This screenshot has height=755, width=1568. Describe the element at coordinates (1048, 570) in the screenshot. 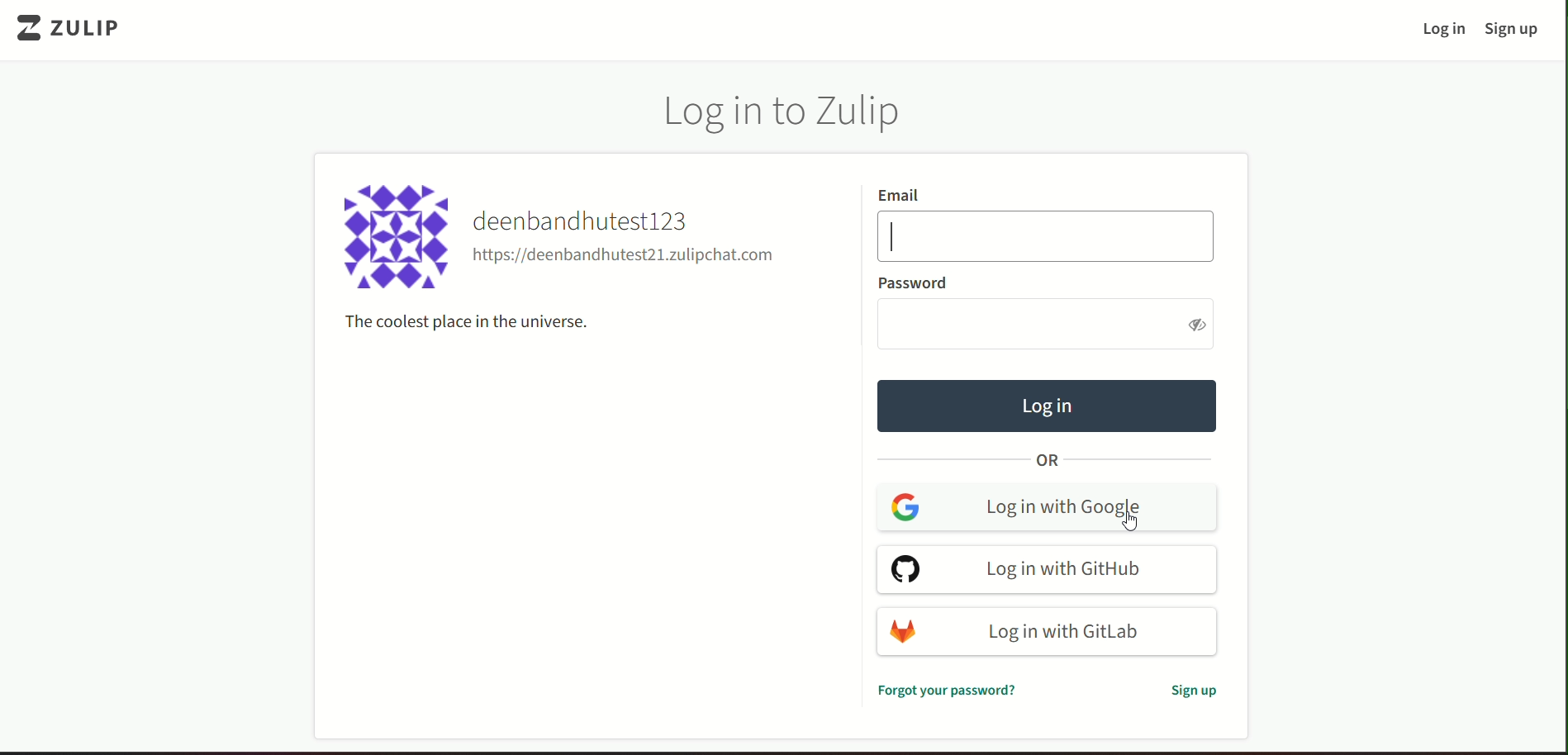

I see `button` at that location.